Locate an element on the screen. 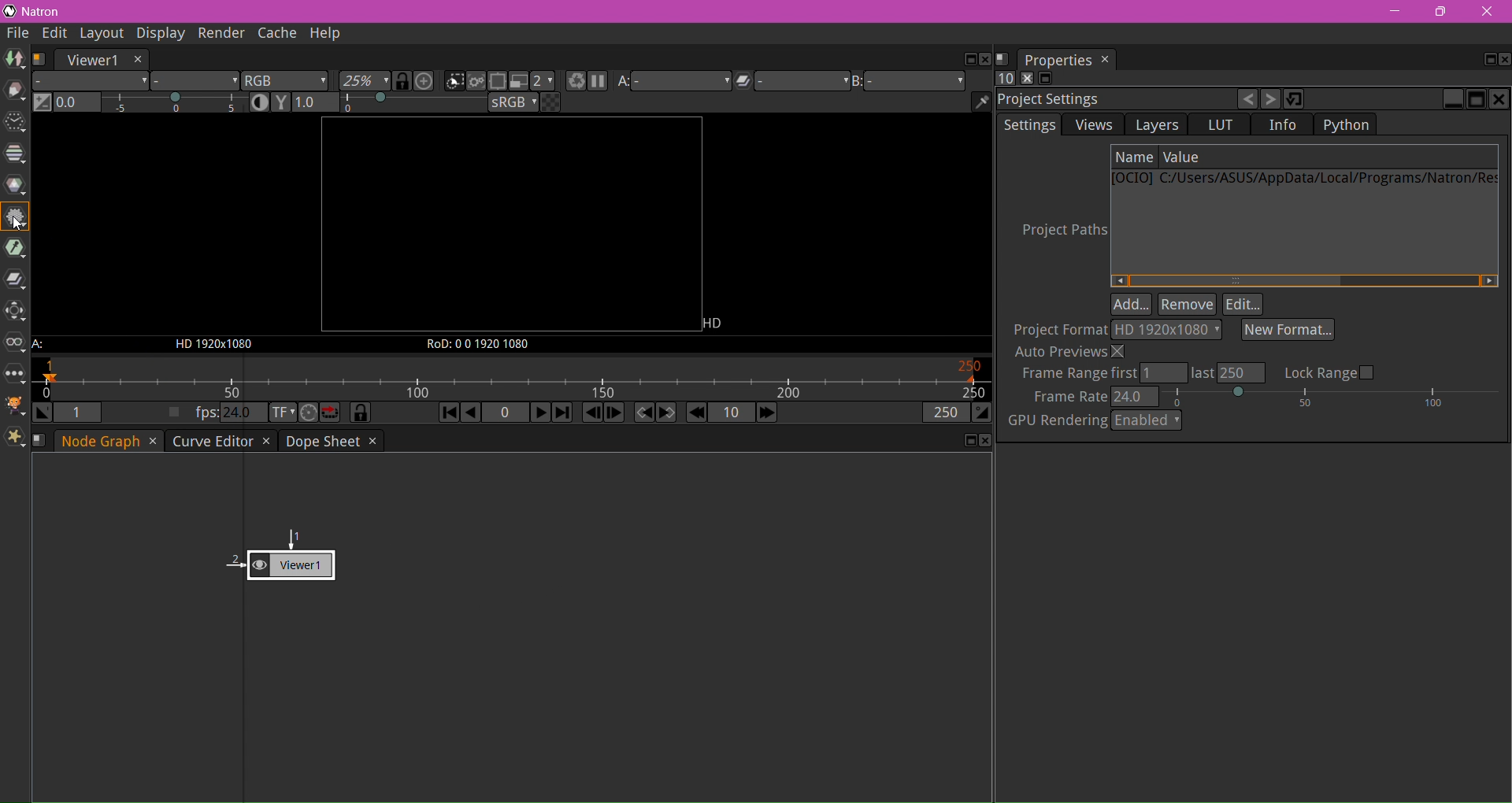 The height and width of the screenshot is (803, 1512). Info is located at coordinates (1284, 125).